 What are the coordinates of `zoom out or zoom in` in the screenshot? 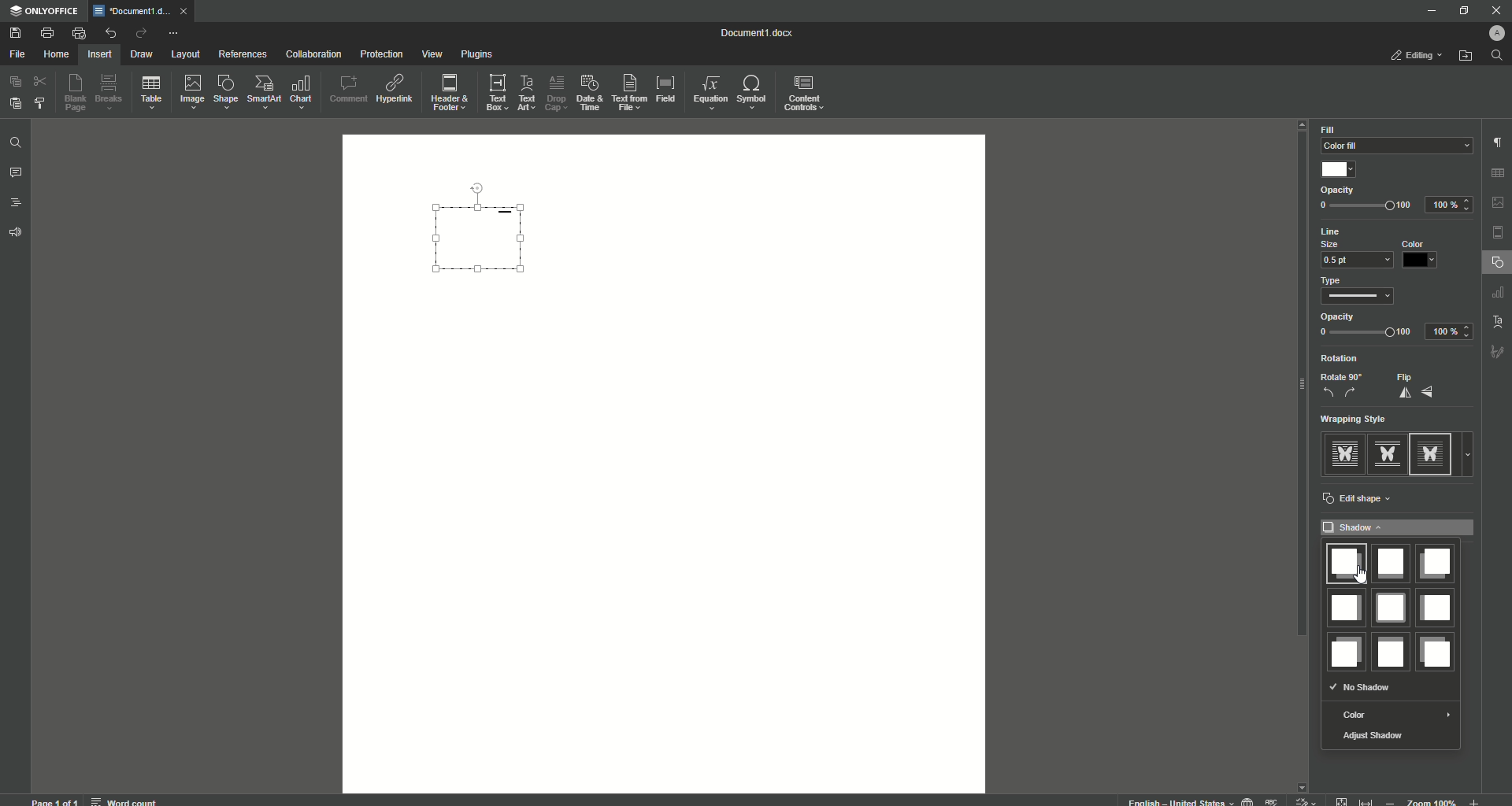 It's located at (1436, 800).